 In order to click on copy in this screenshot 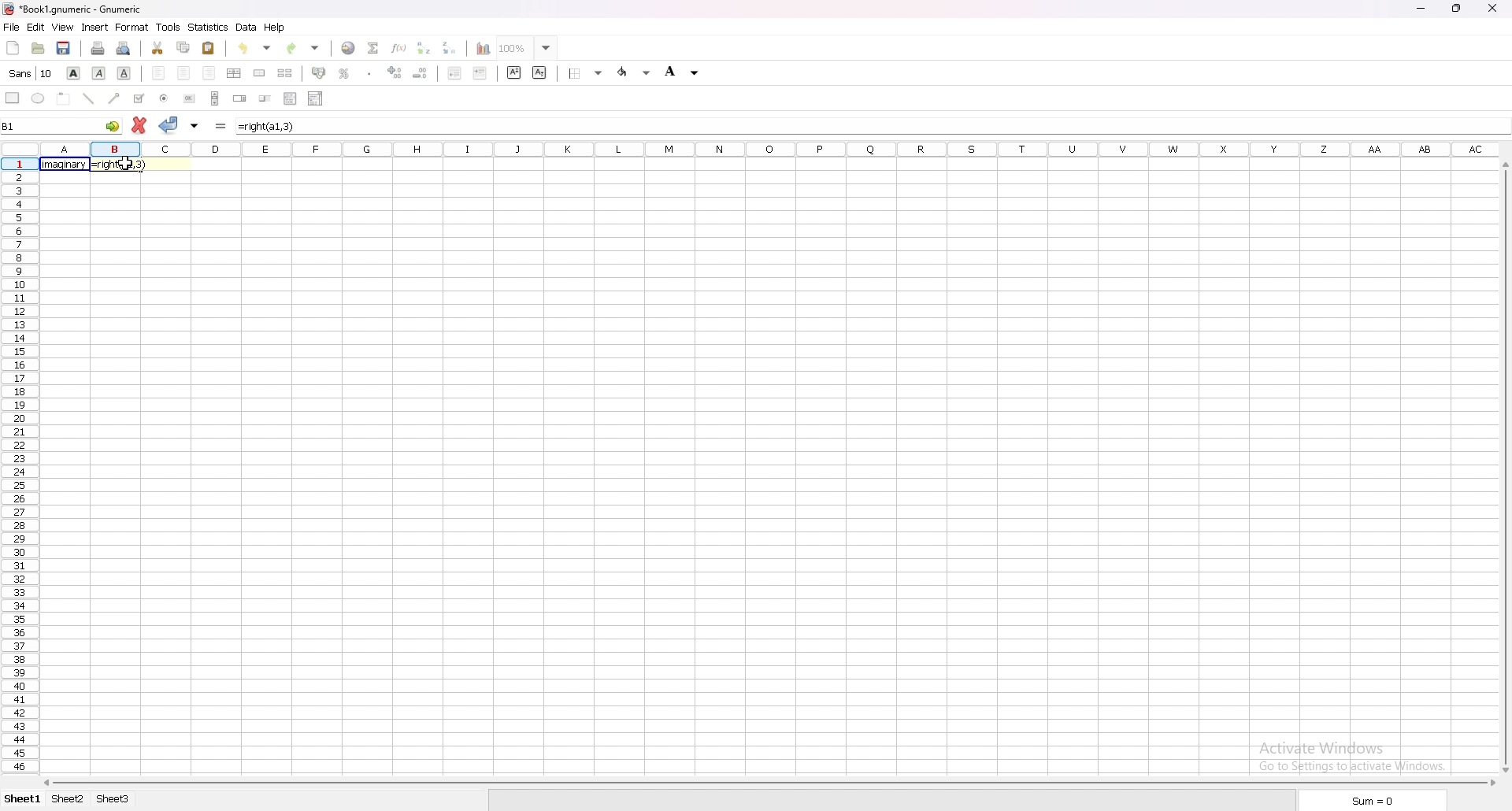, I will do `click(183, 47)`.